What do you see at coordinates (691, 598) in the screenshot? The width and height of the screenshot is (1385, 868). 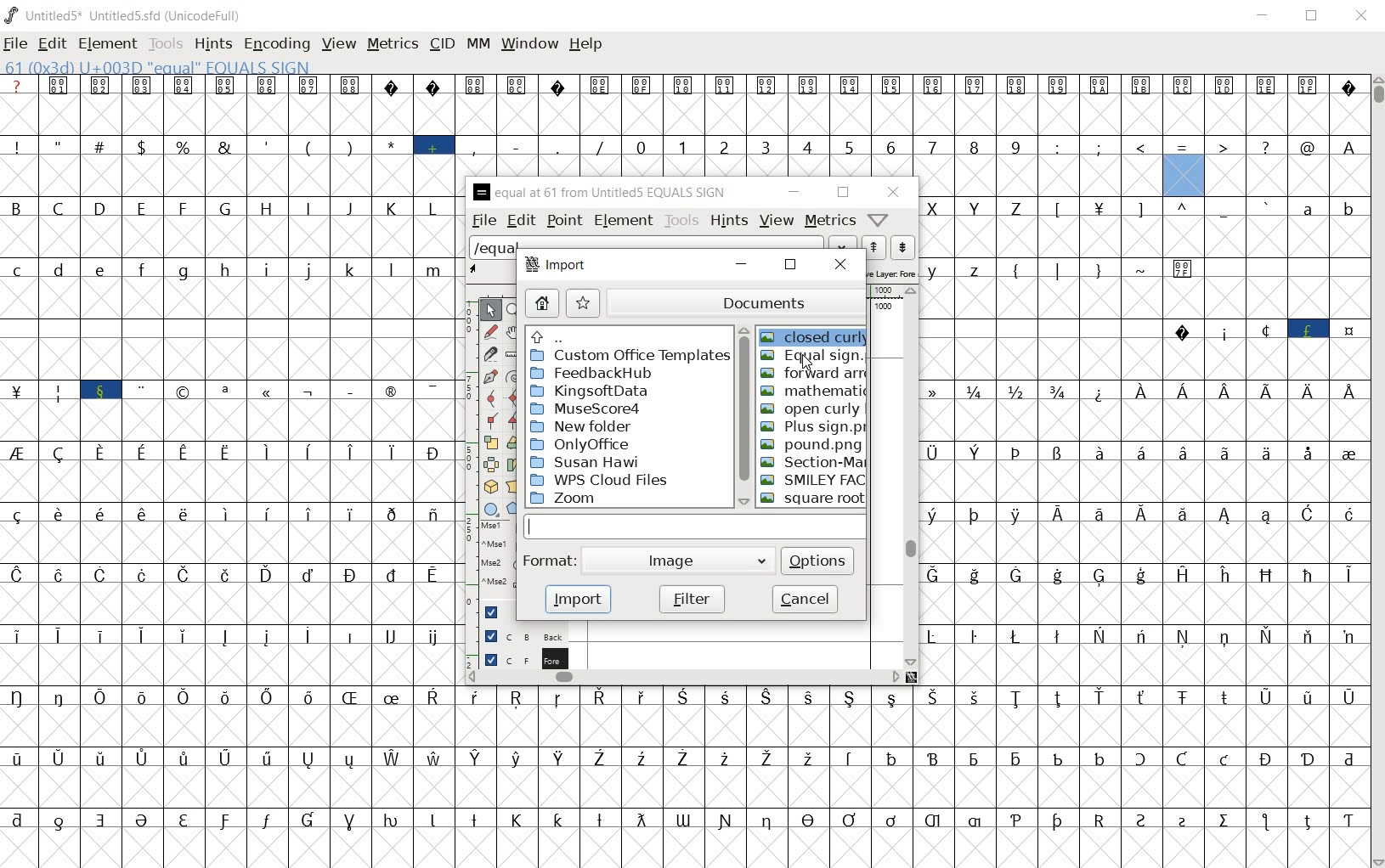 I see `filter` at bounding box center [691, 598].